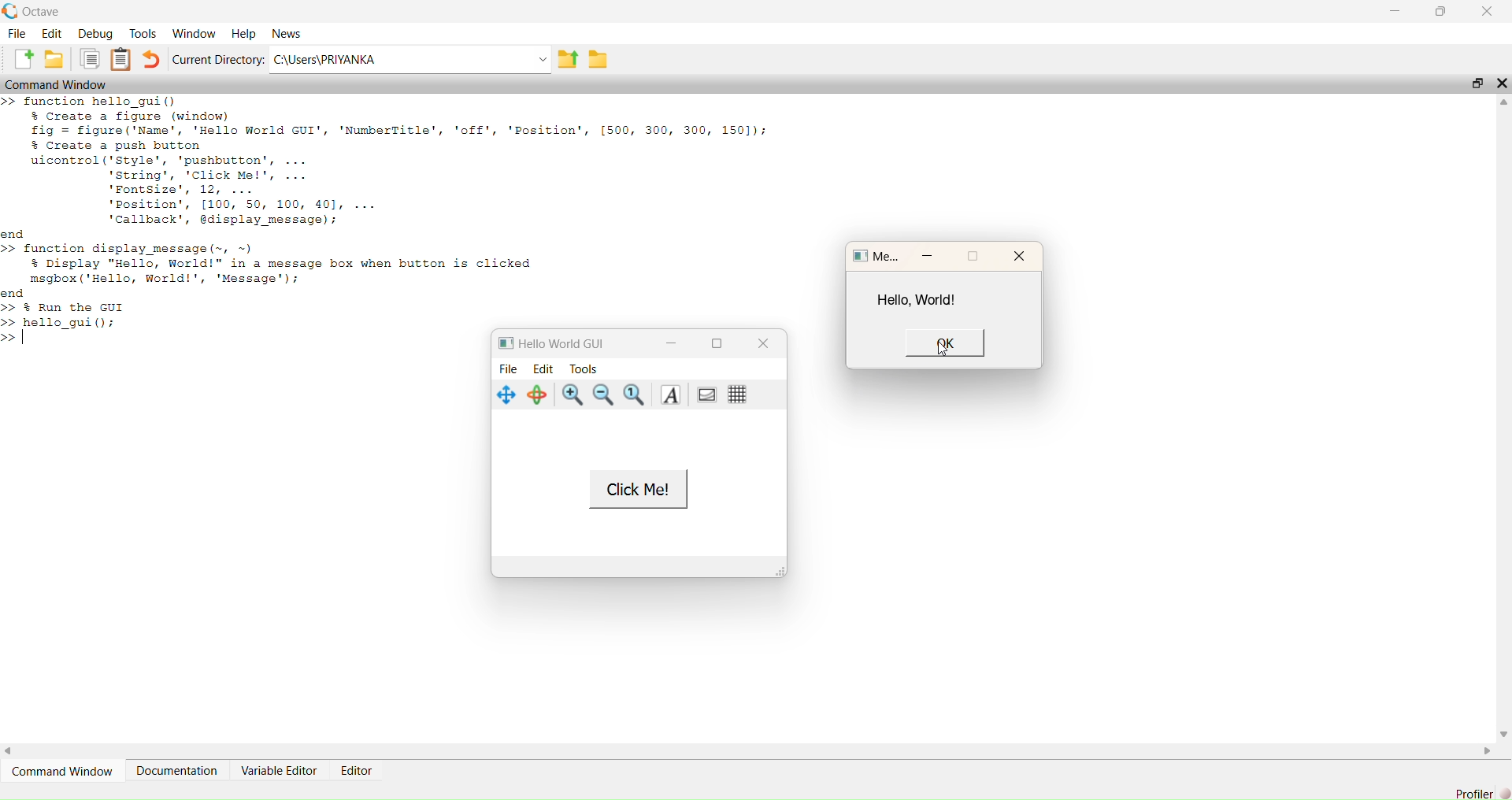  I want to click on zoom in, so click(570, 396).